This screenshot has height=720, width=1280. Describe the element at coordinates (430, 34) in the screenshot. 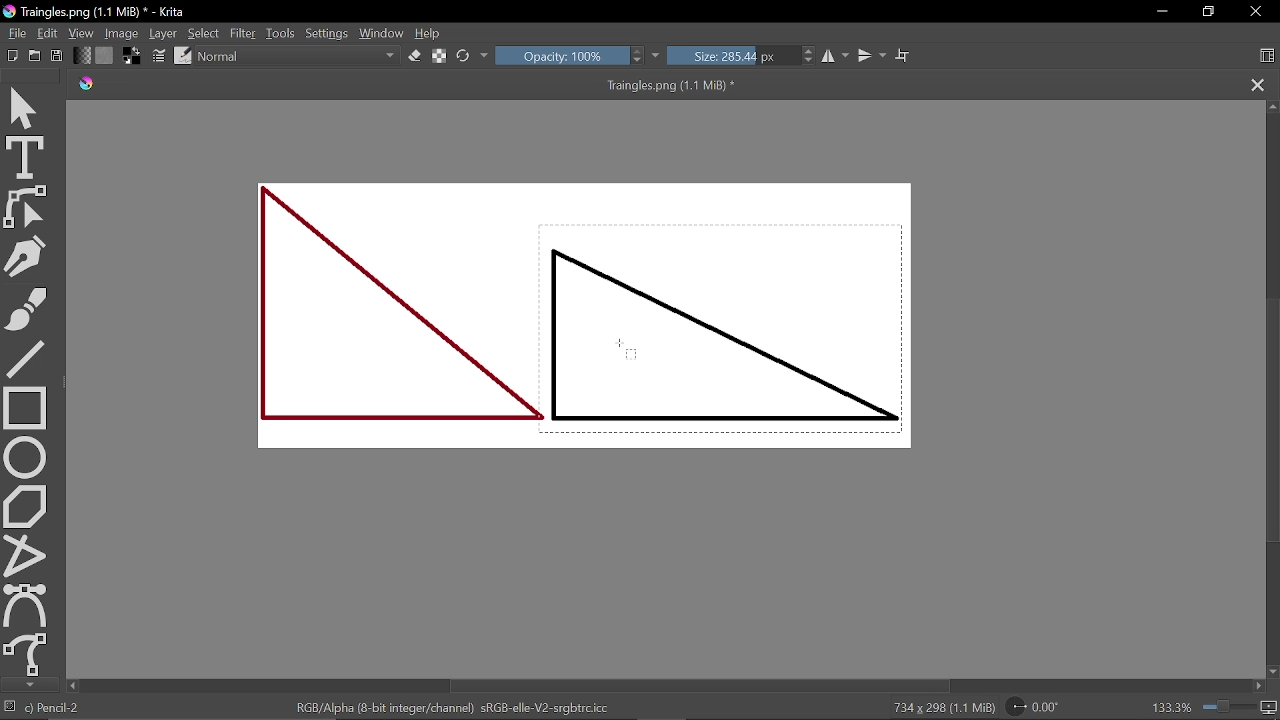

I see `Help` at that location.